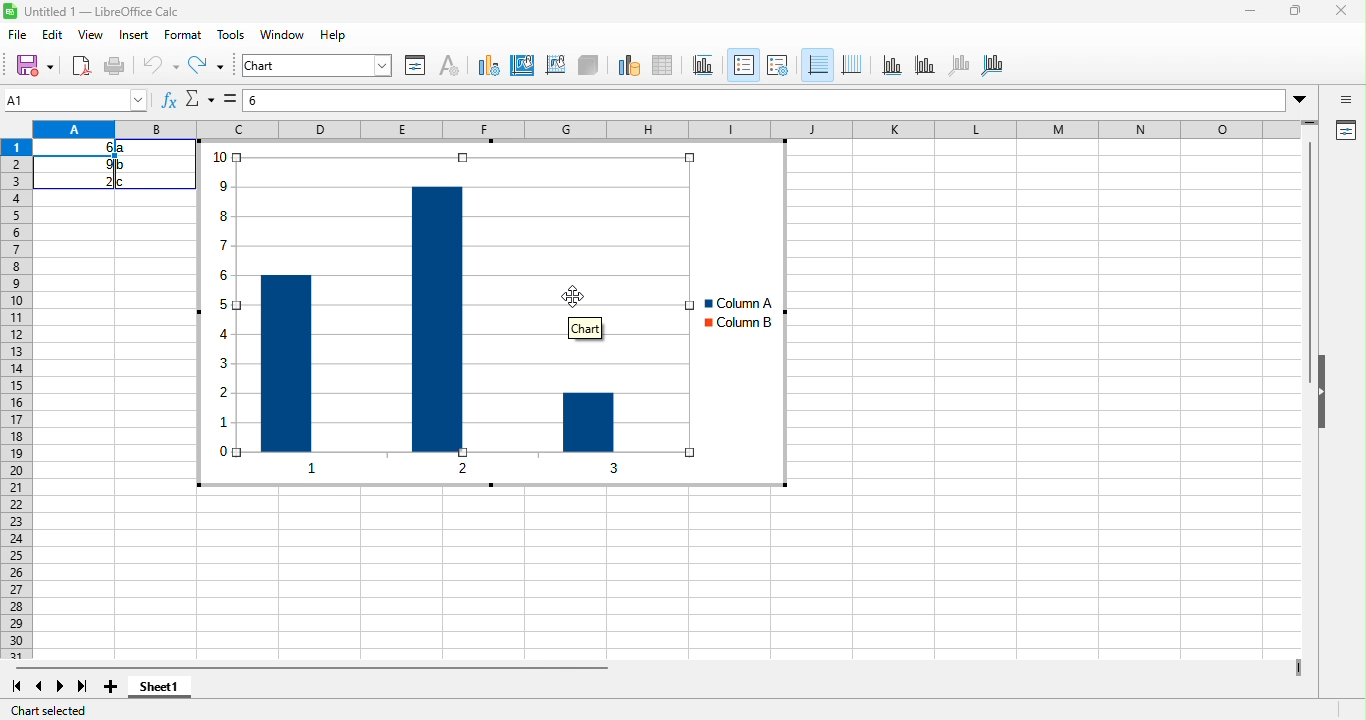 The width and height of the screenshot is (1366, 720). I want to click on vertical grid, so click(852, 64).